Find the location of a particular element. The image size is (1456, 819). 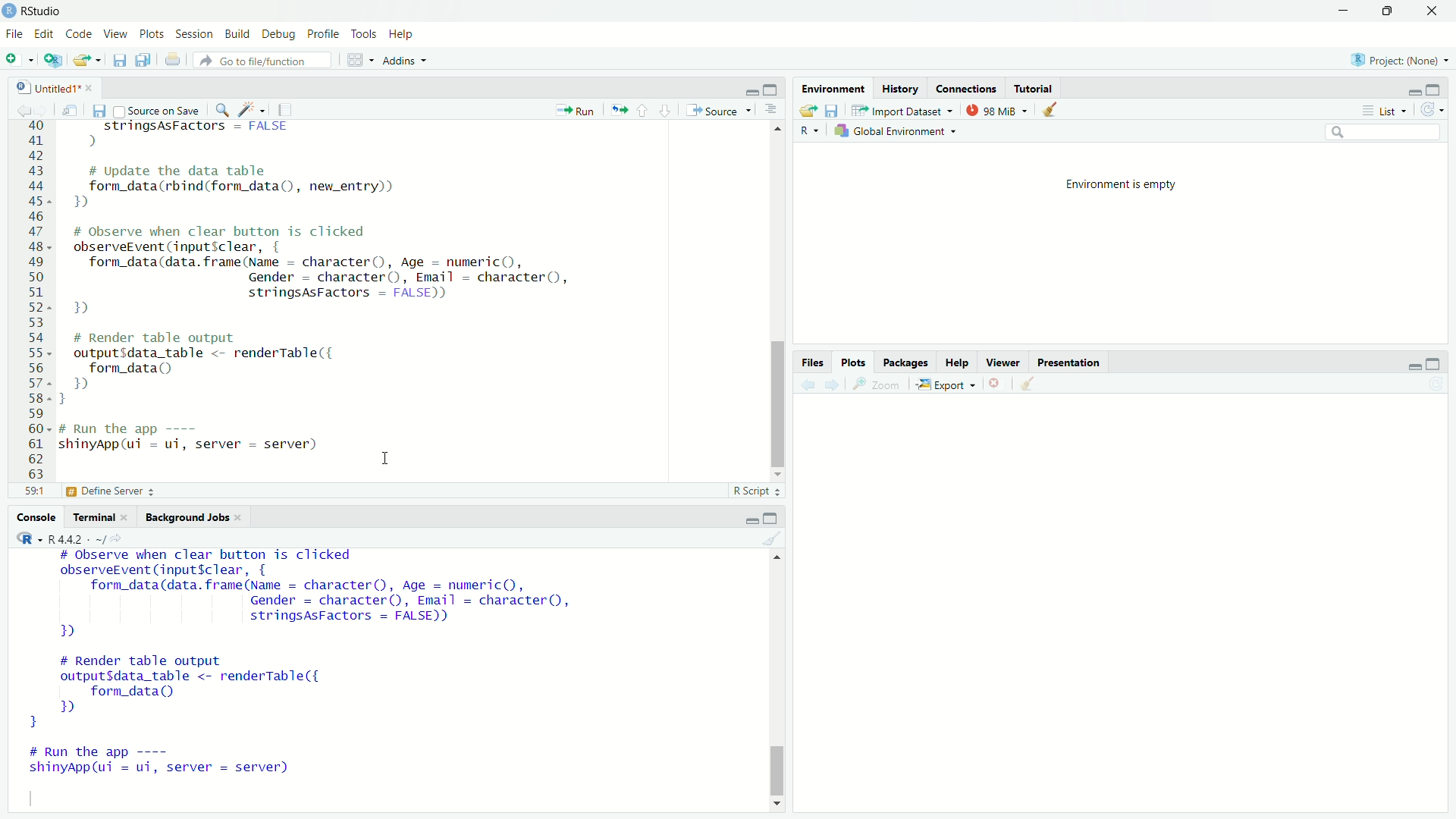

59:1 is located at coordinates (33, 494).